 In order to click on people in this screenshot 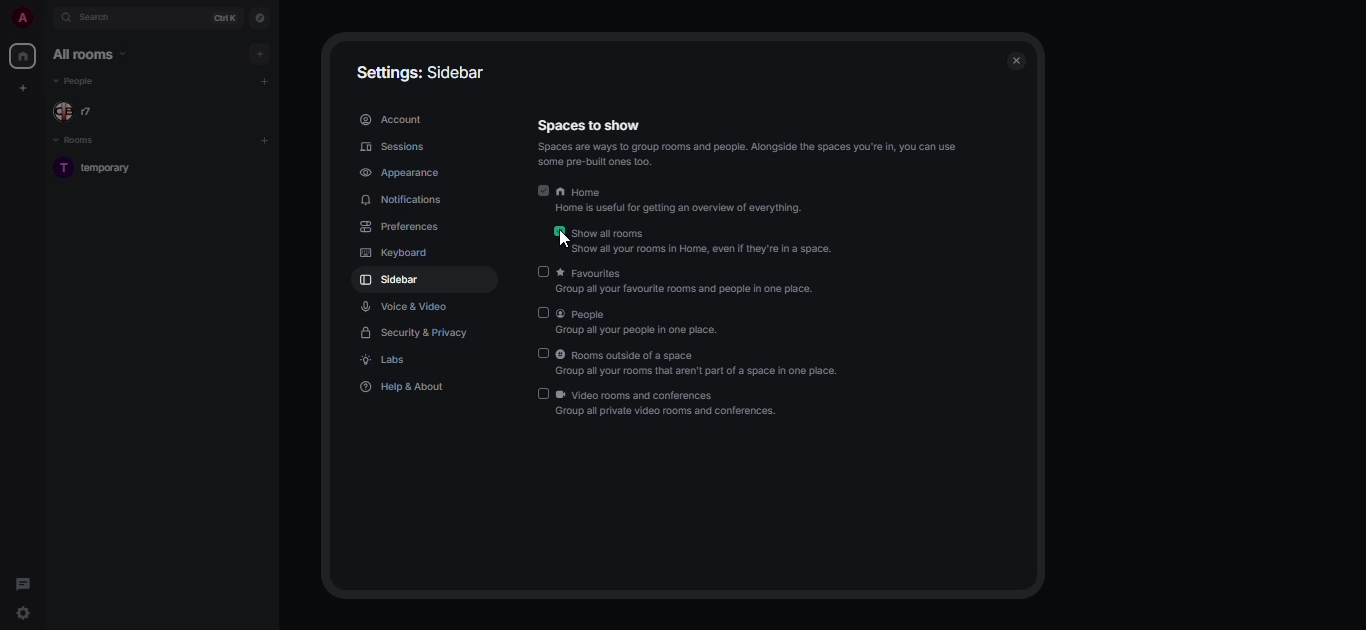, I will do `click(82, 112)`.